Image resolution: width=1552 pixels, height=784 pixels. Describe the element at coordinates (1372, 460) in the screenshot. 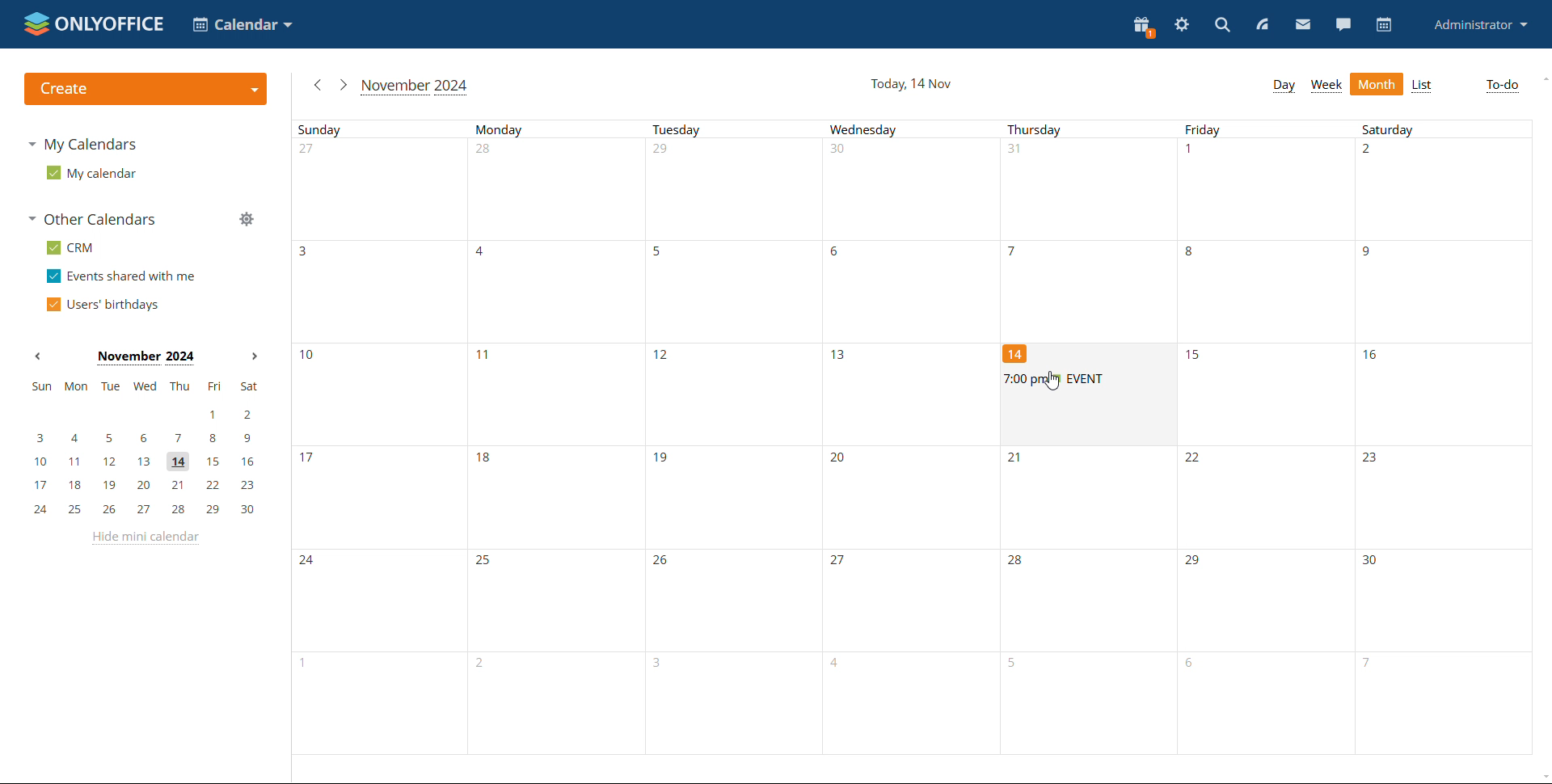

I see `number` at that location.